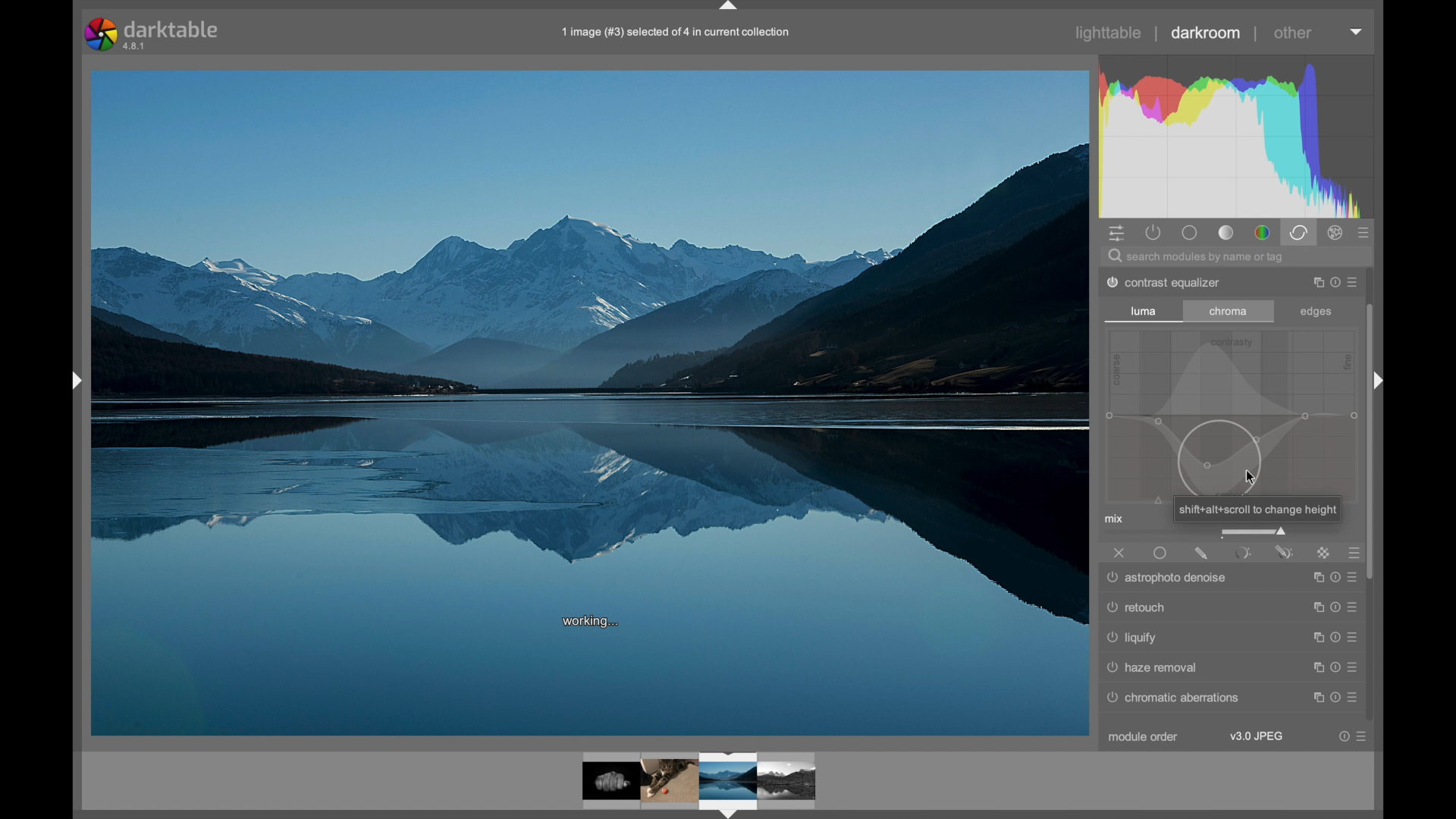 This screenshot has width=1456, height=819. Describe the element at coordinates (152, 35) in the screenshot. I see `darktable` at that location.